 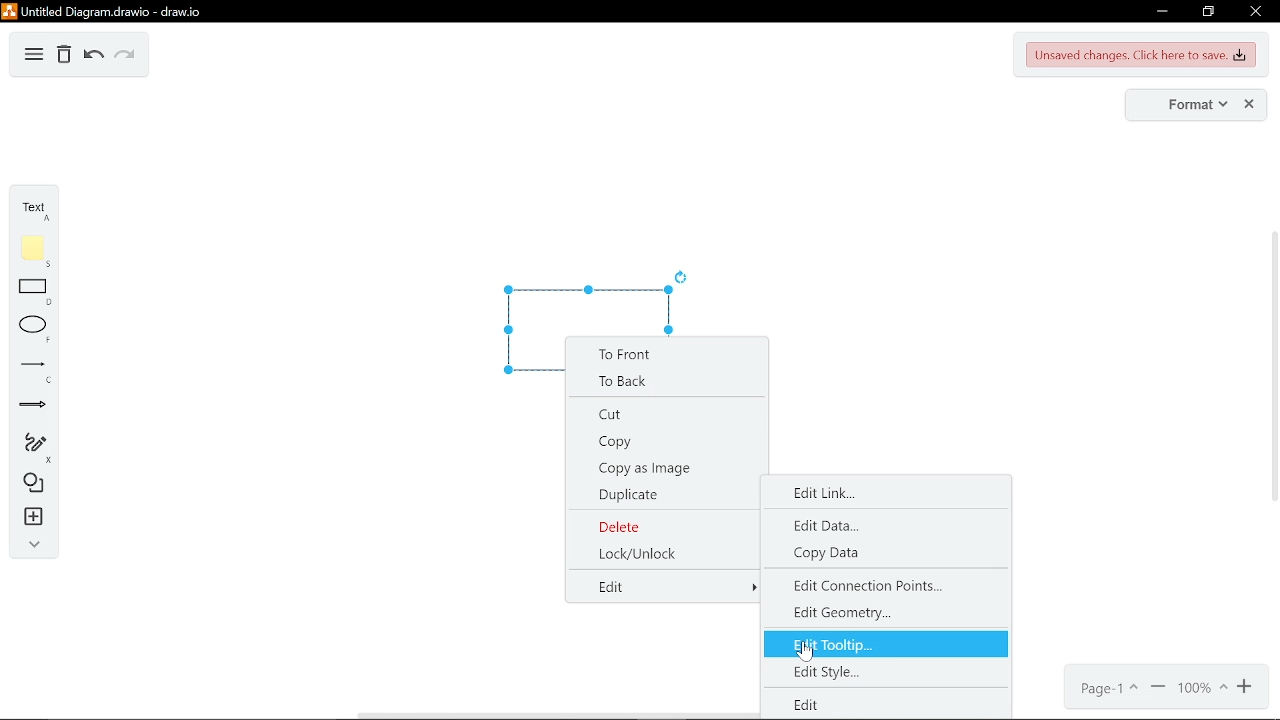 What do you see at coordinates (804, 655) in the screenshot?
I see `Cursor` at bounding box center [804, 655].